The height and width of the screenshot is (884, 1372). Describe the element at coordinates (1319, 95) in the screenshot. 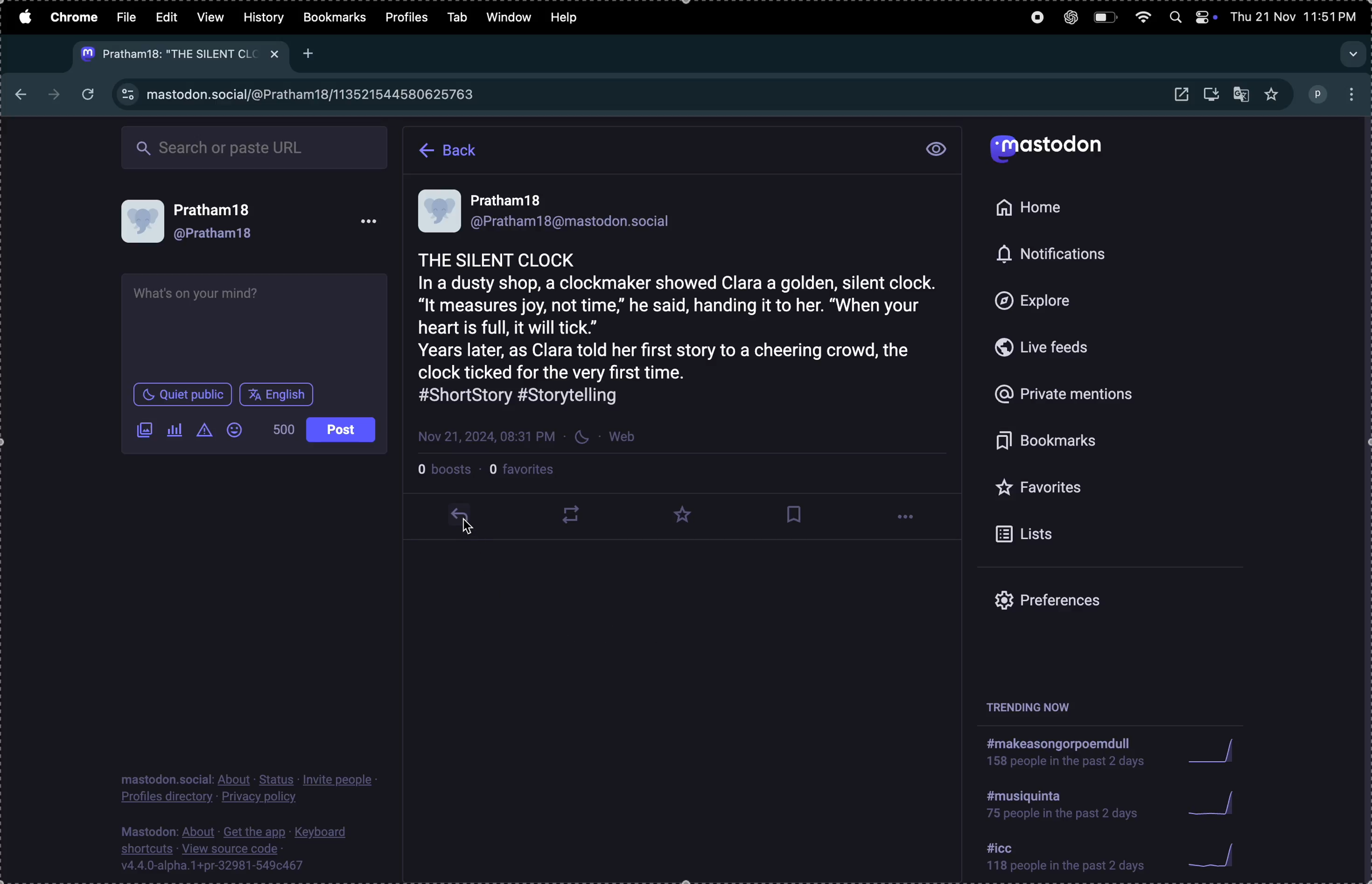

I see `profile` at that location.